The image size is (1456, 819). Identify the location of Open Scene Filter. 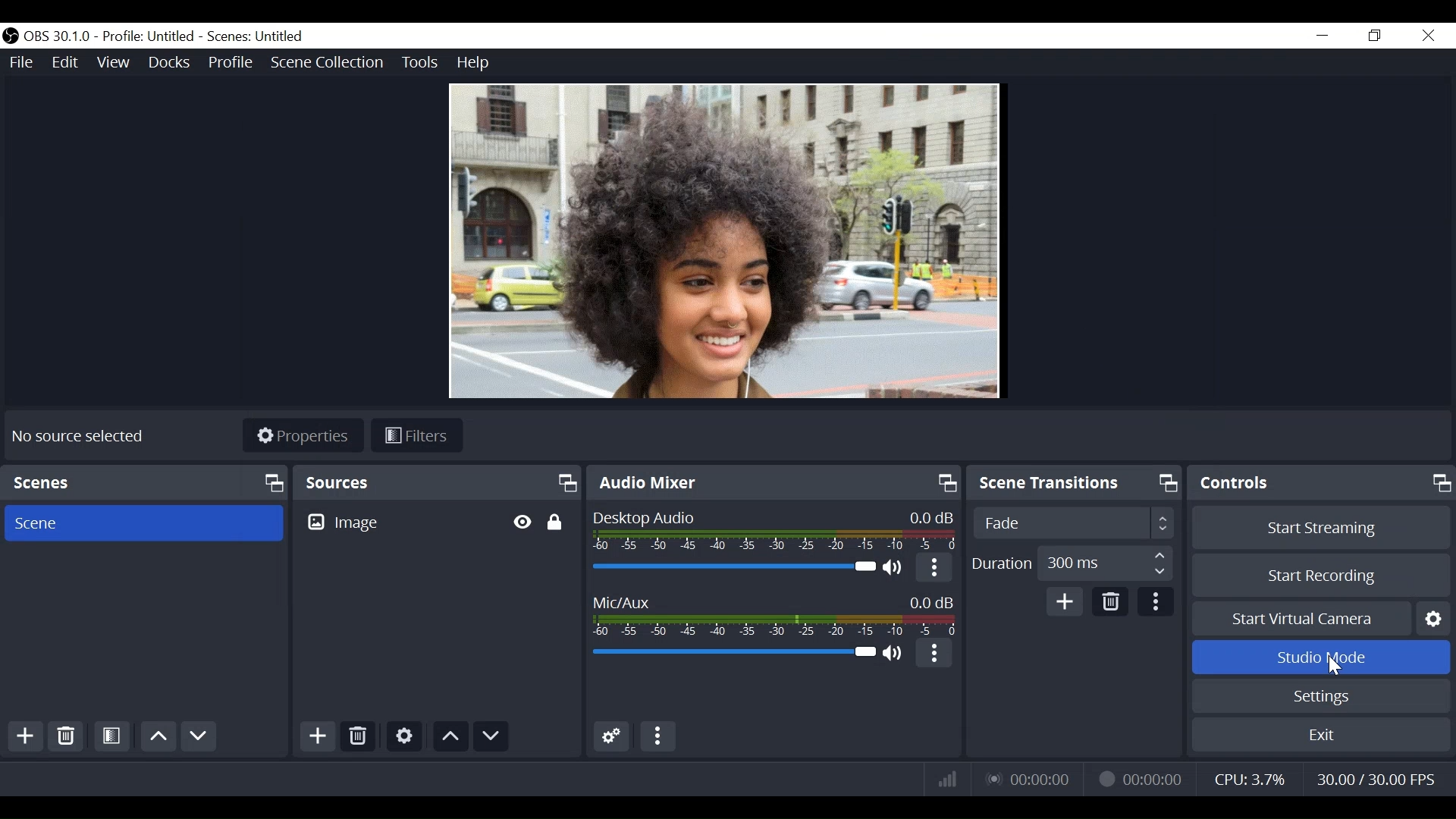
(111, 738).